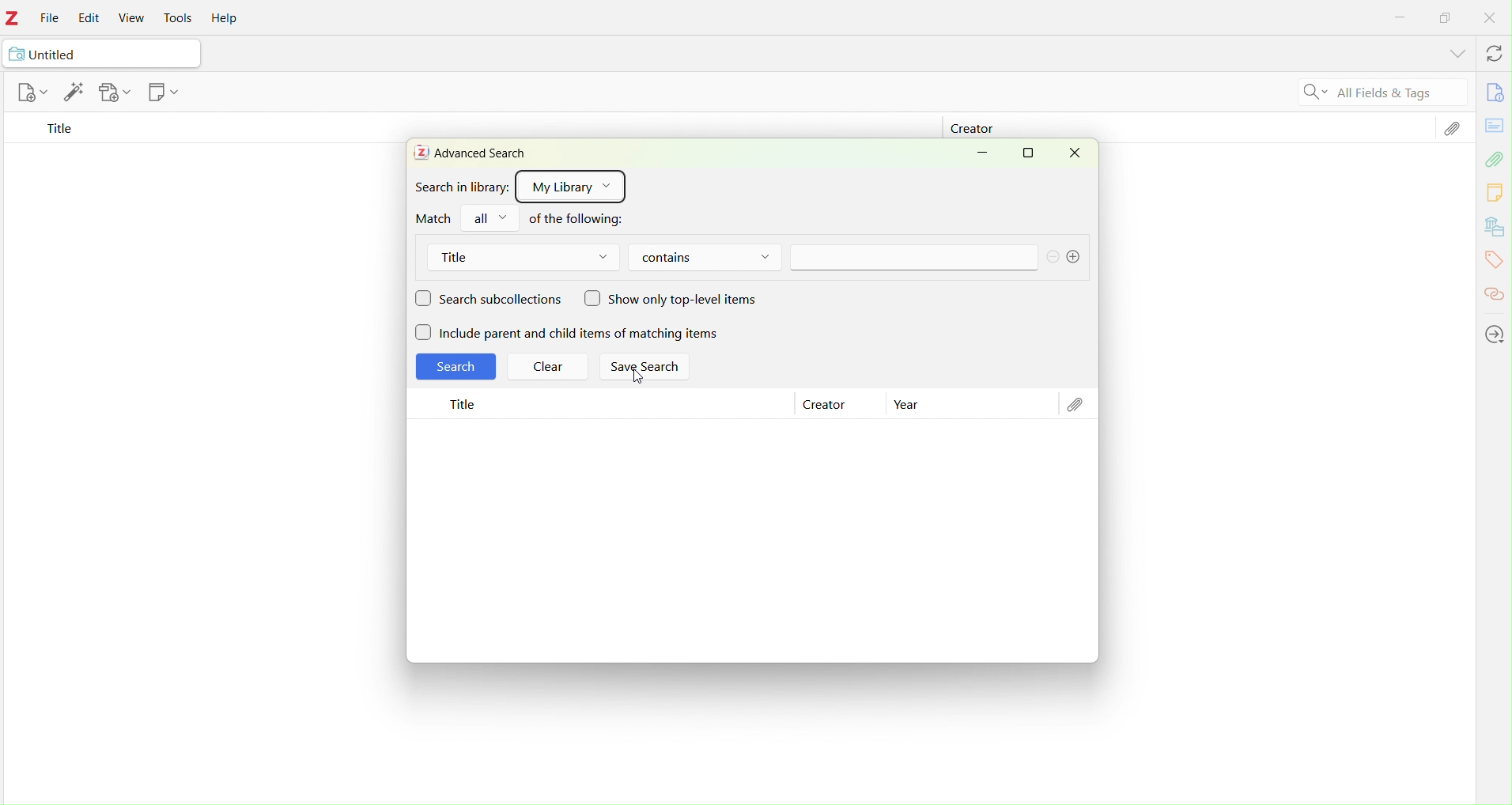 The image size is (1512, 805). I want to click on Attachment, so click(1496, 160).